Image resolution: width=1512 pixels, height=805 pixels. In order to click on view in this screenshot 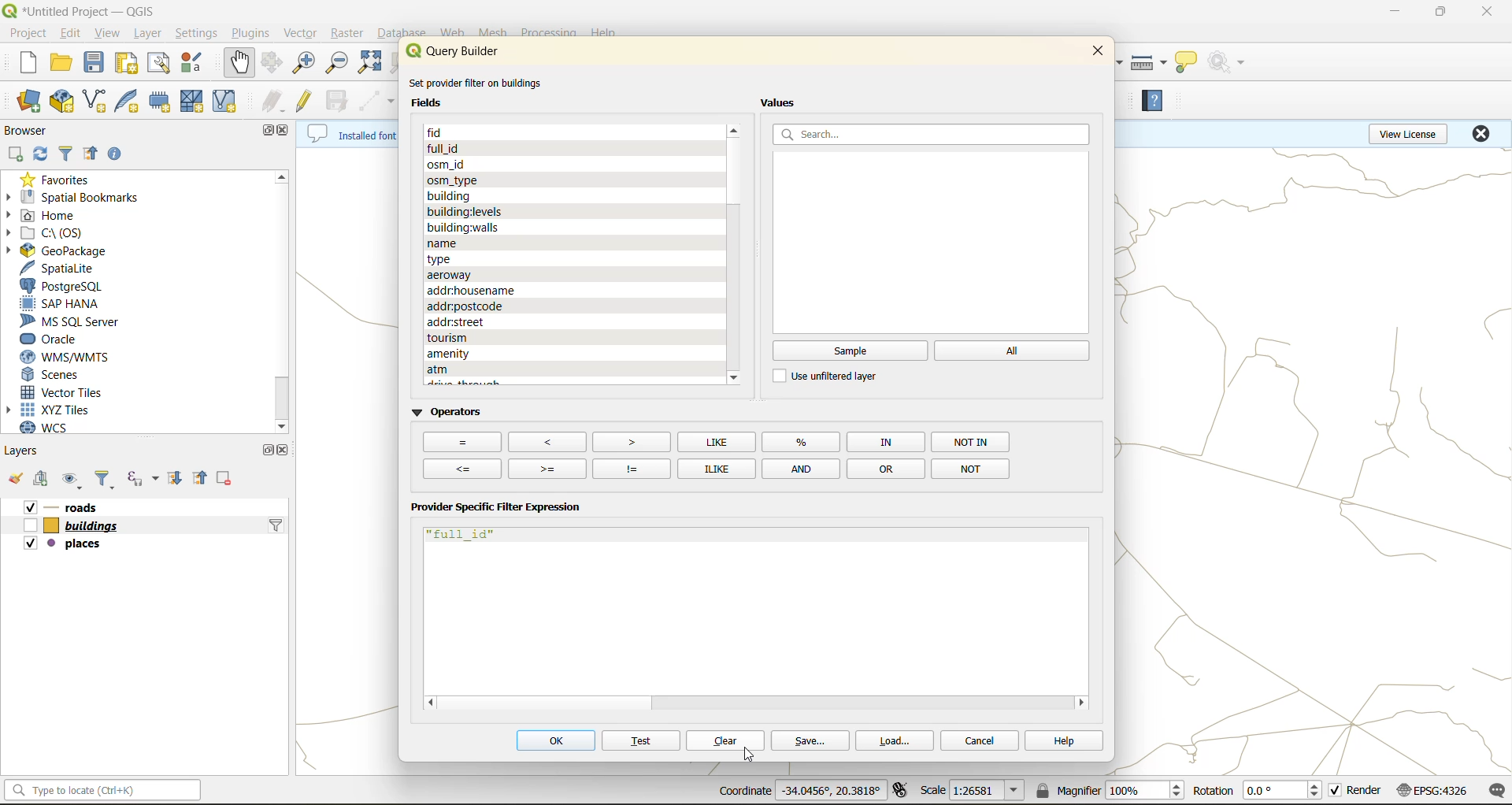, I will do `click(108, 33)`.